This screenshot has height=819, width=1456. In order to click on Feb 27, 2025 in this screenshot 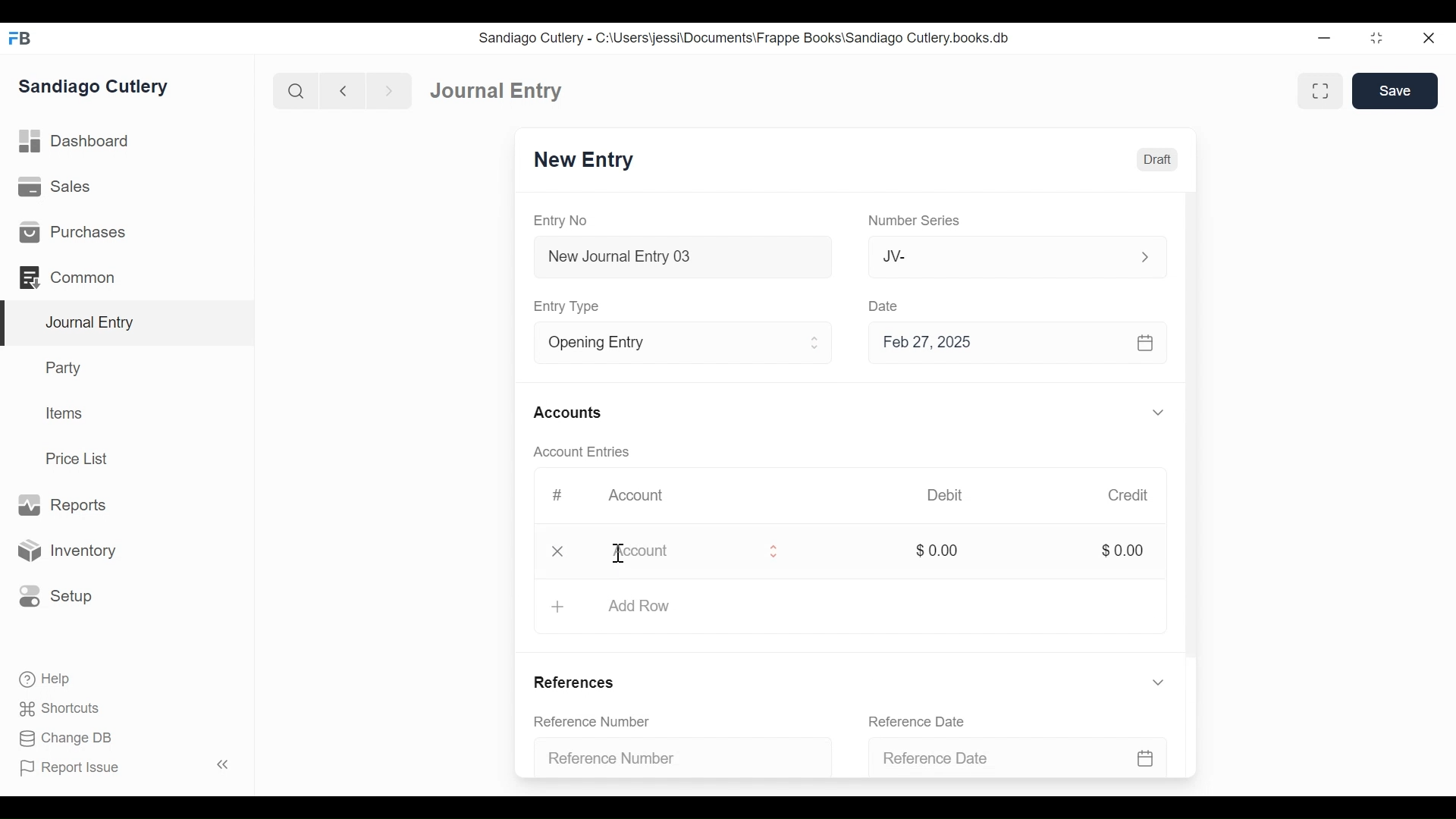, I will do `click(1015, 344)`.